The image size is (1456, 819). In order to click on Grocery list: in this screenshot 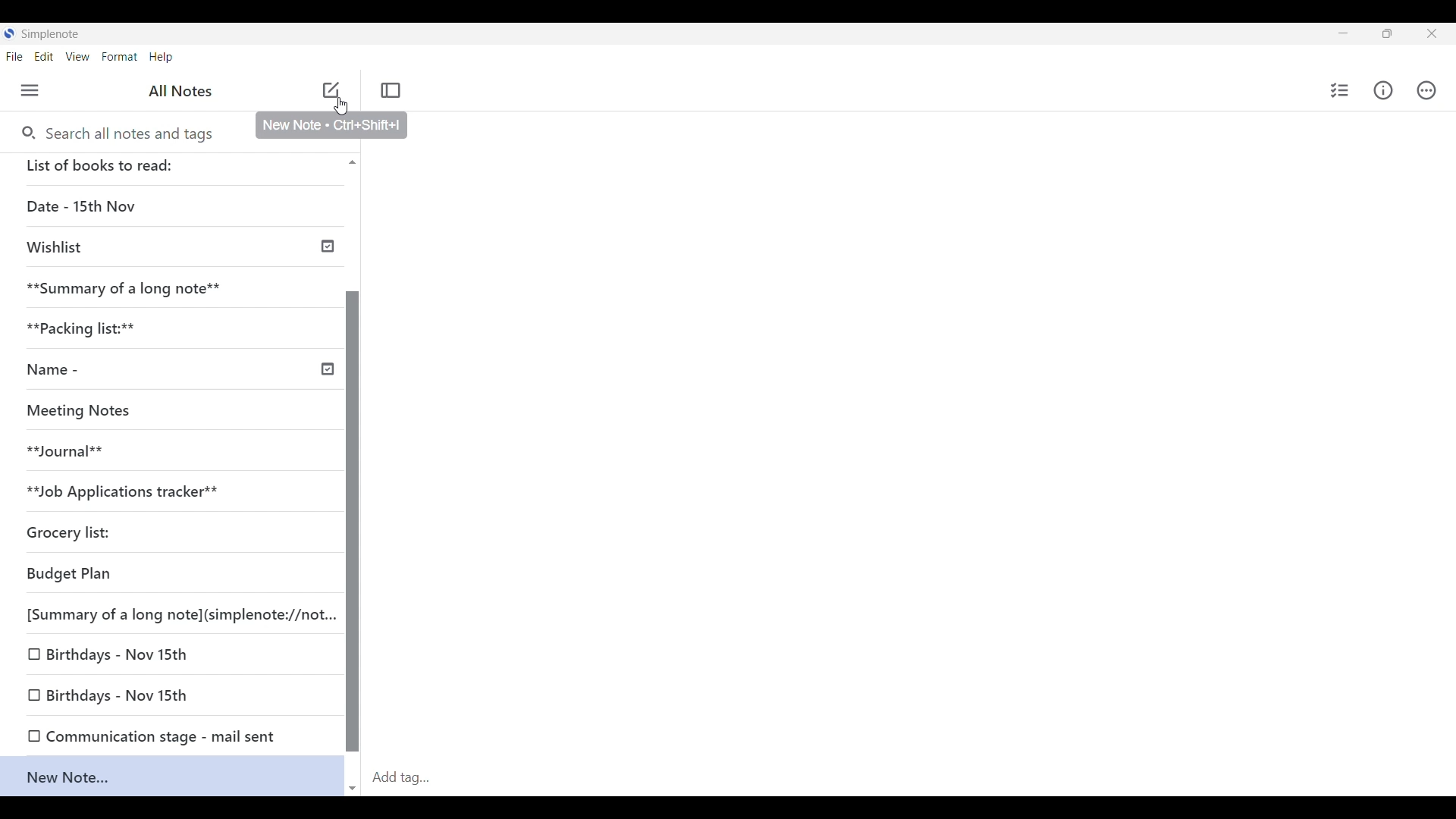, I will do `click(100, 530)`.